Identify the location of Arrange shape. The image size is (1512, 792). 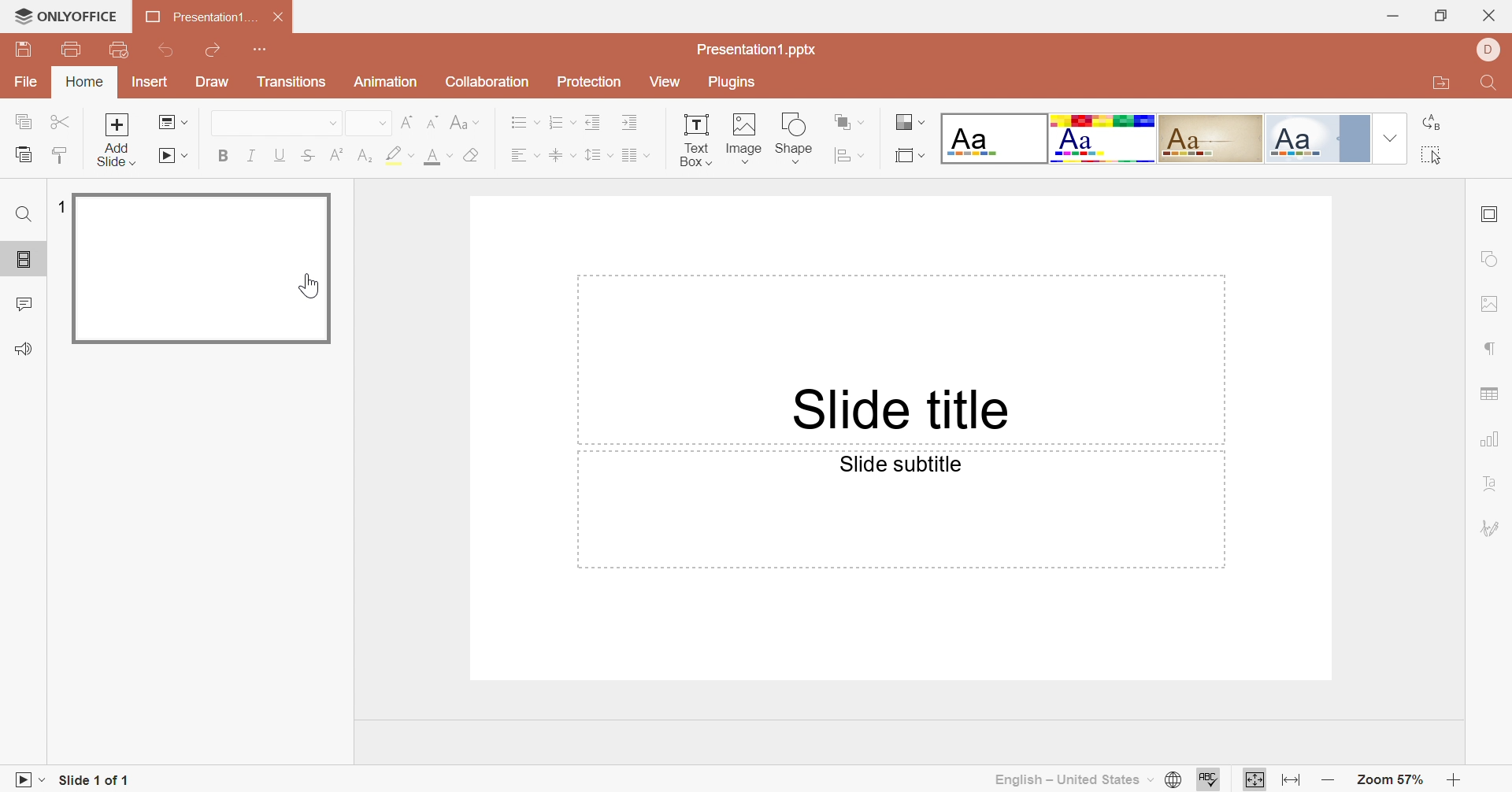
(844, 123).